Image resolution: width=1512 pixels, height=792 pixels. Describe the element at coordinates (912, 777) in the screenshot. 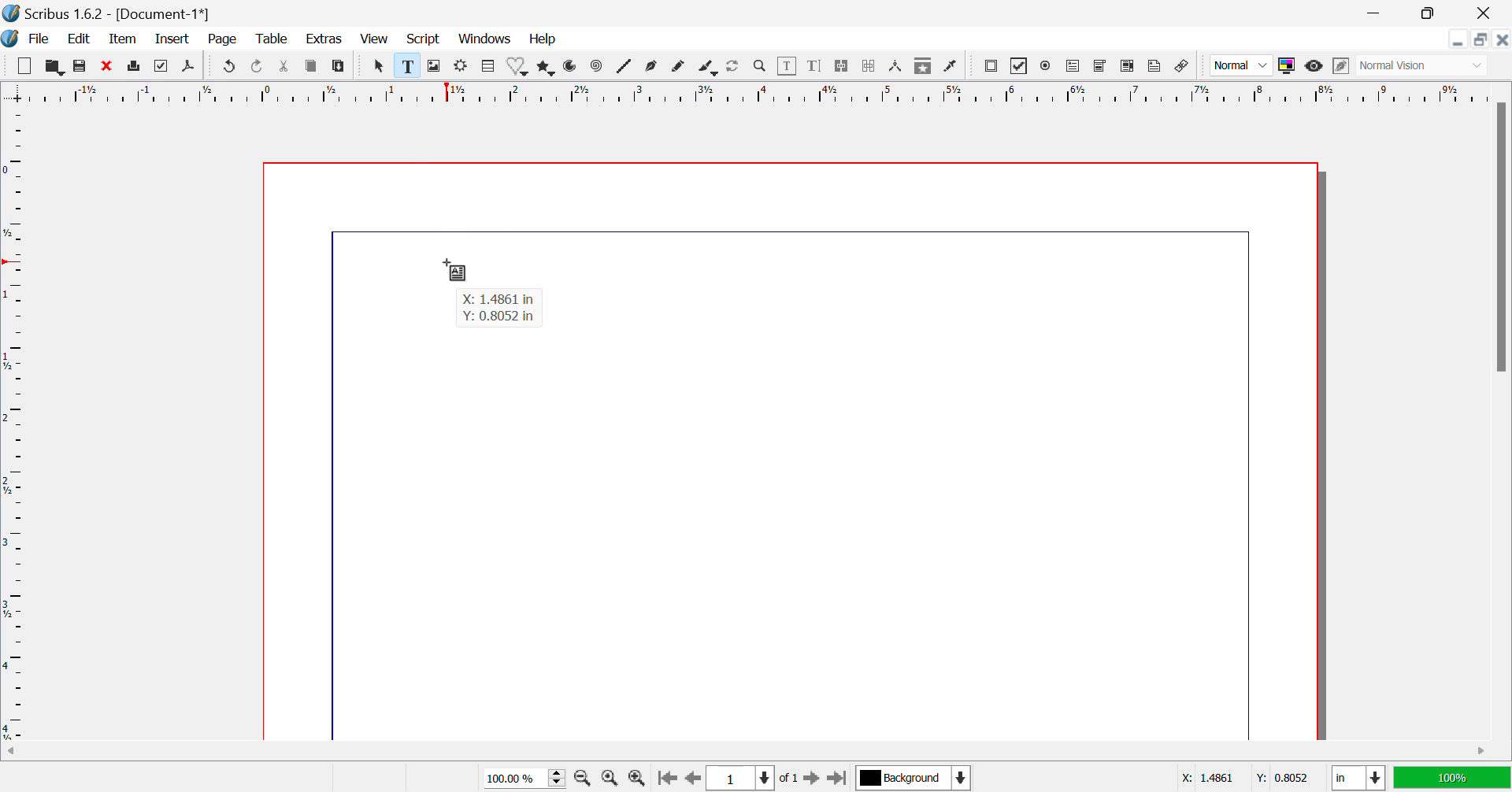

I see `Background` at that location.